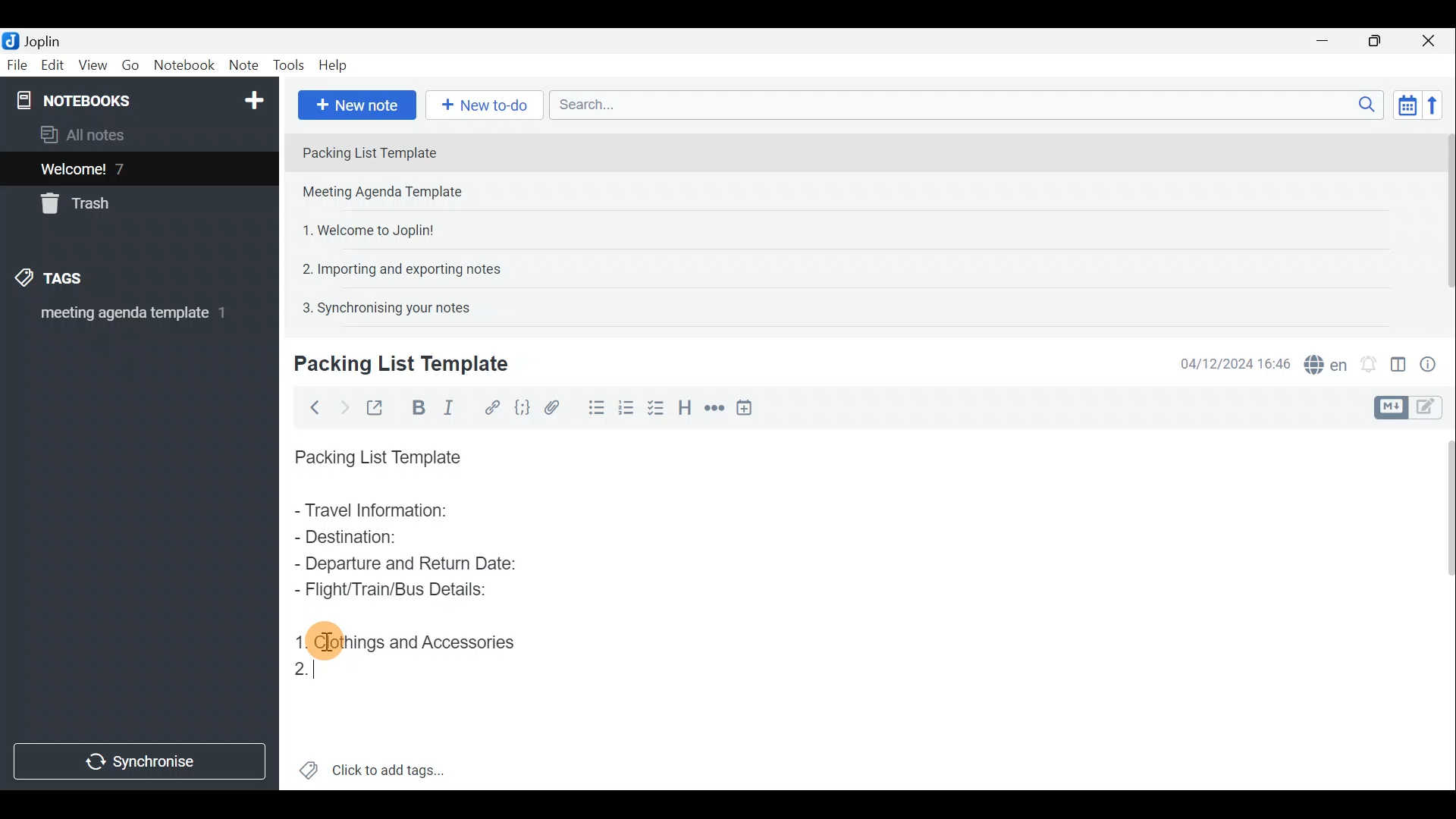  Describe the element at coordinates (328, 640) in the screenshot. I see `cursor` at that location.